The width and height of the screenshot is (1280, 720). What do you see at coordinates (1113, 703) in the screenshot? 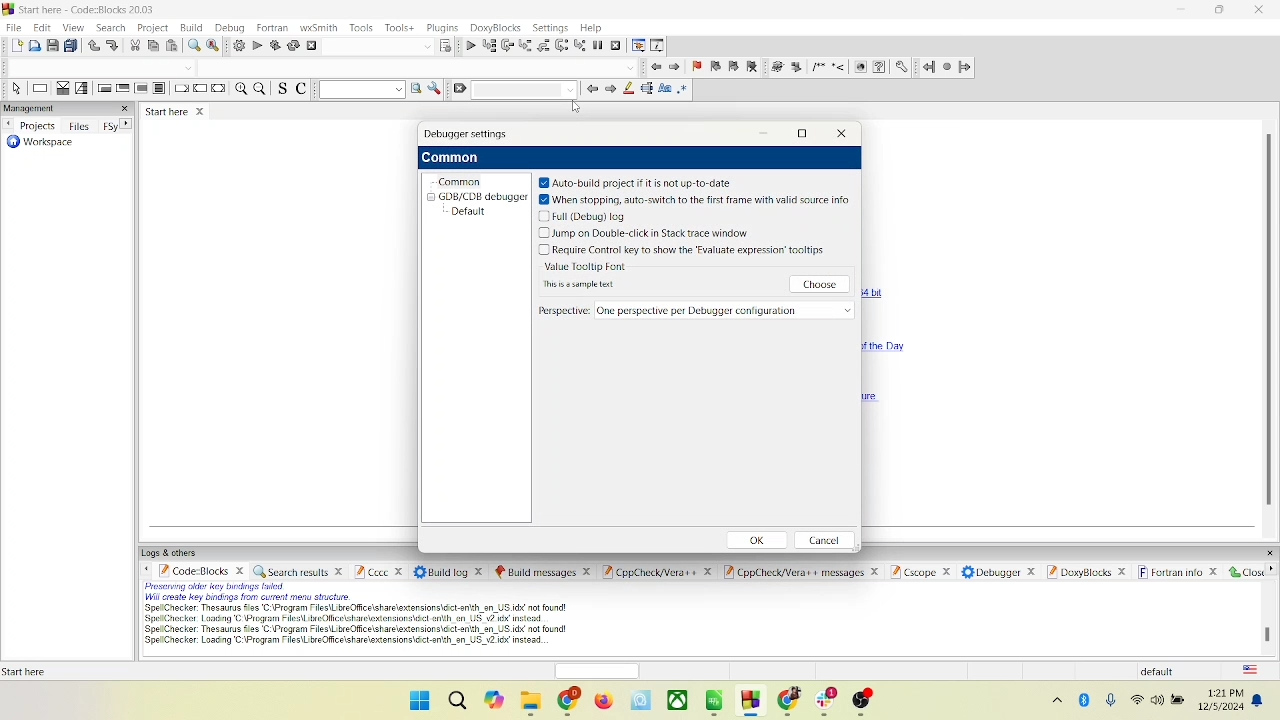
I see `microphone` at bounding box center [1113, 703].